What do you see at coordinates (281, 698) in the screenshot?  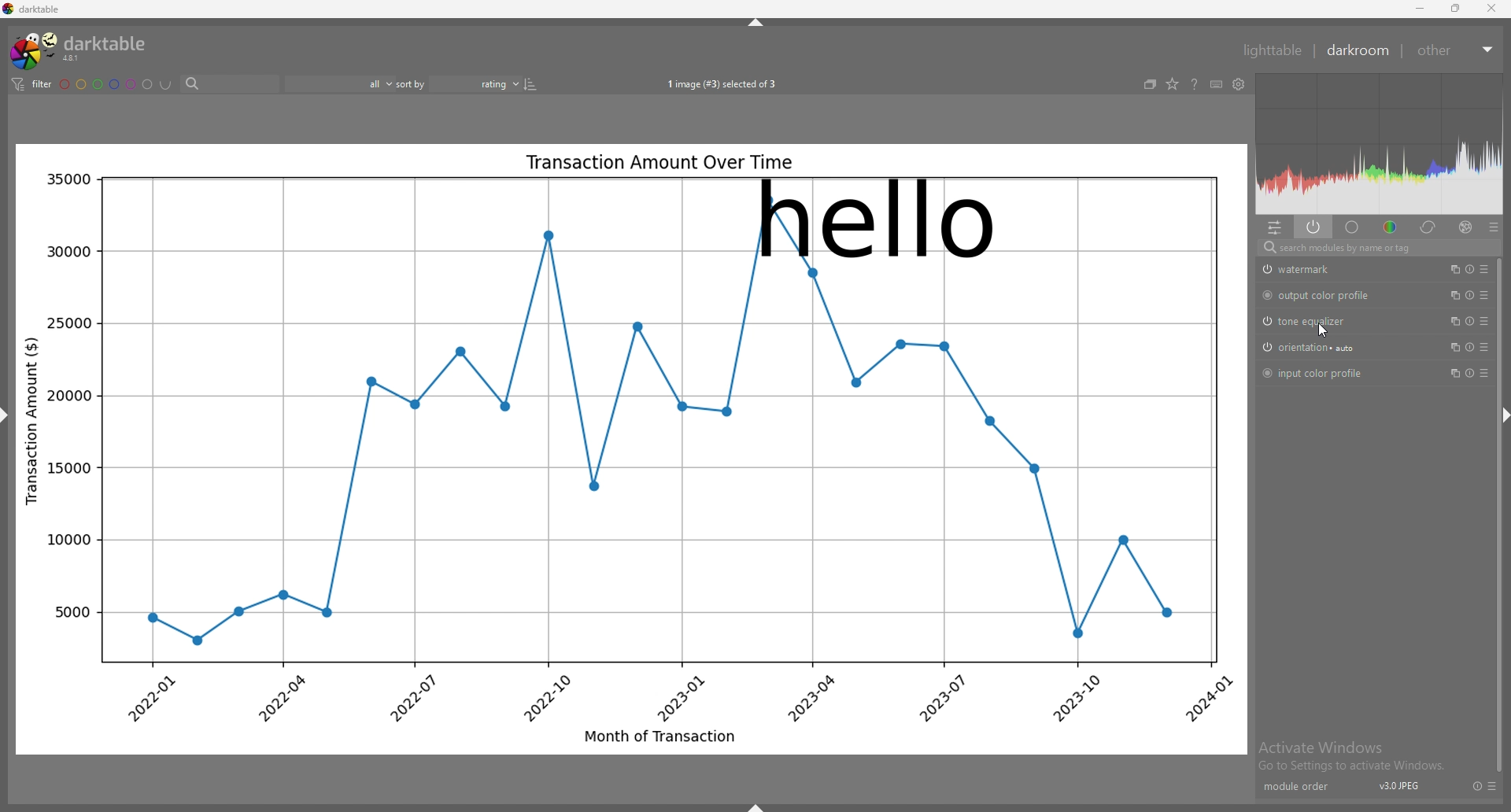 I see `2022-04` at bounding box center [281, 698].